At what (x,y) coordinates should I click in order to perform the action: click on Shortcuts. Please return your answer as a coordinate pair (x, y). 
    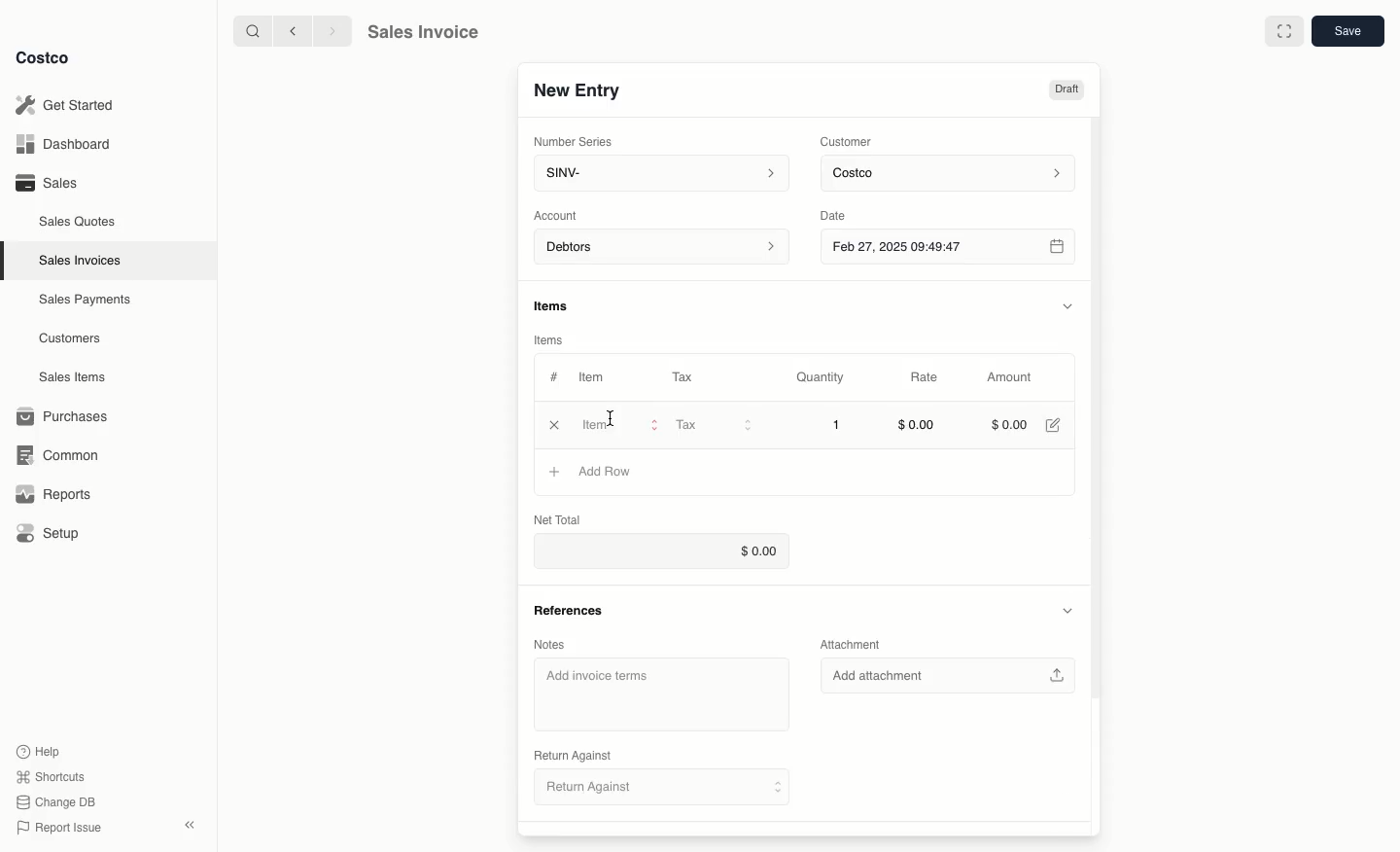
    Looking at the image, I should click on (50, 775).